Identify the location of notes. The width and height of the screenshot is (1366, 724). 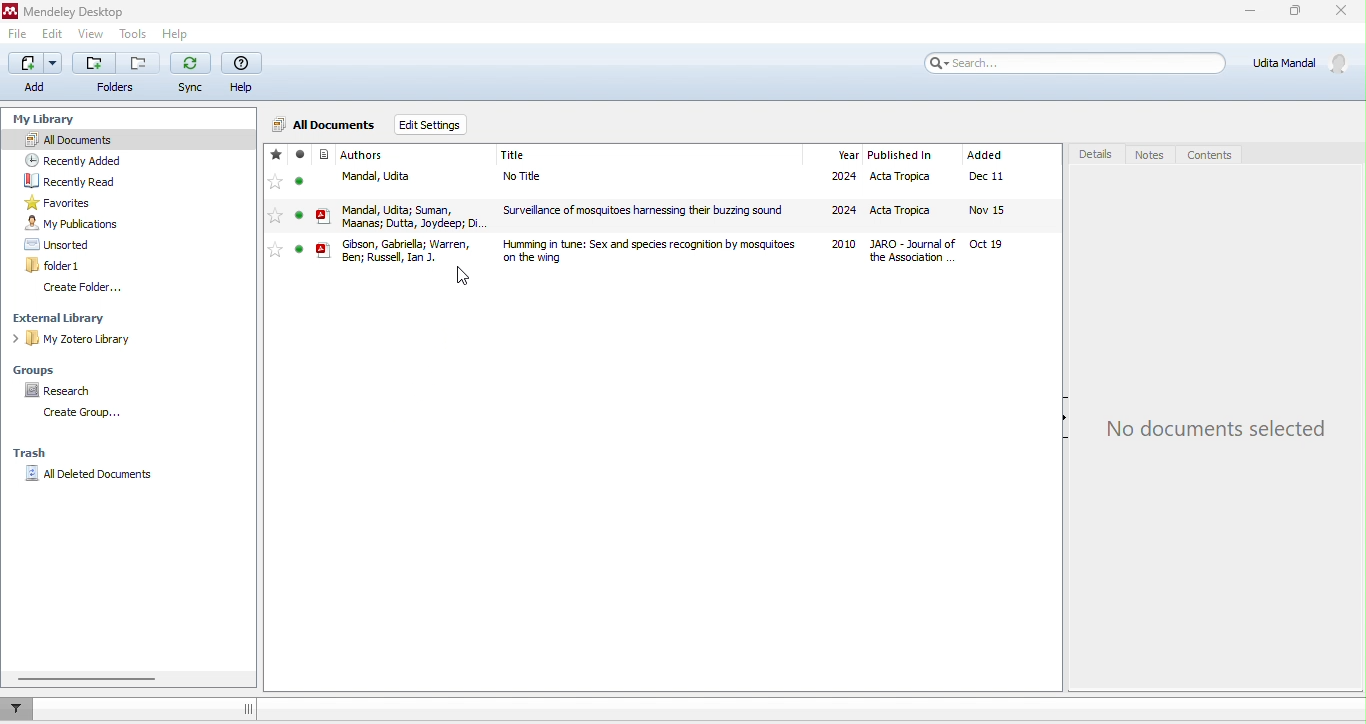
(1153, 154).